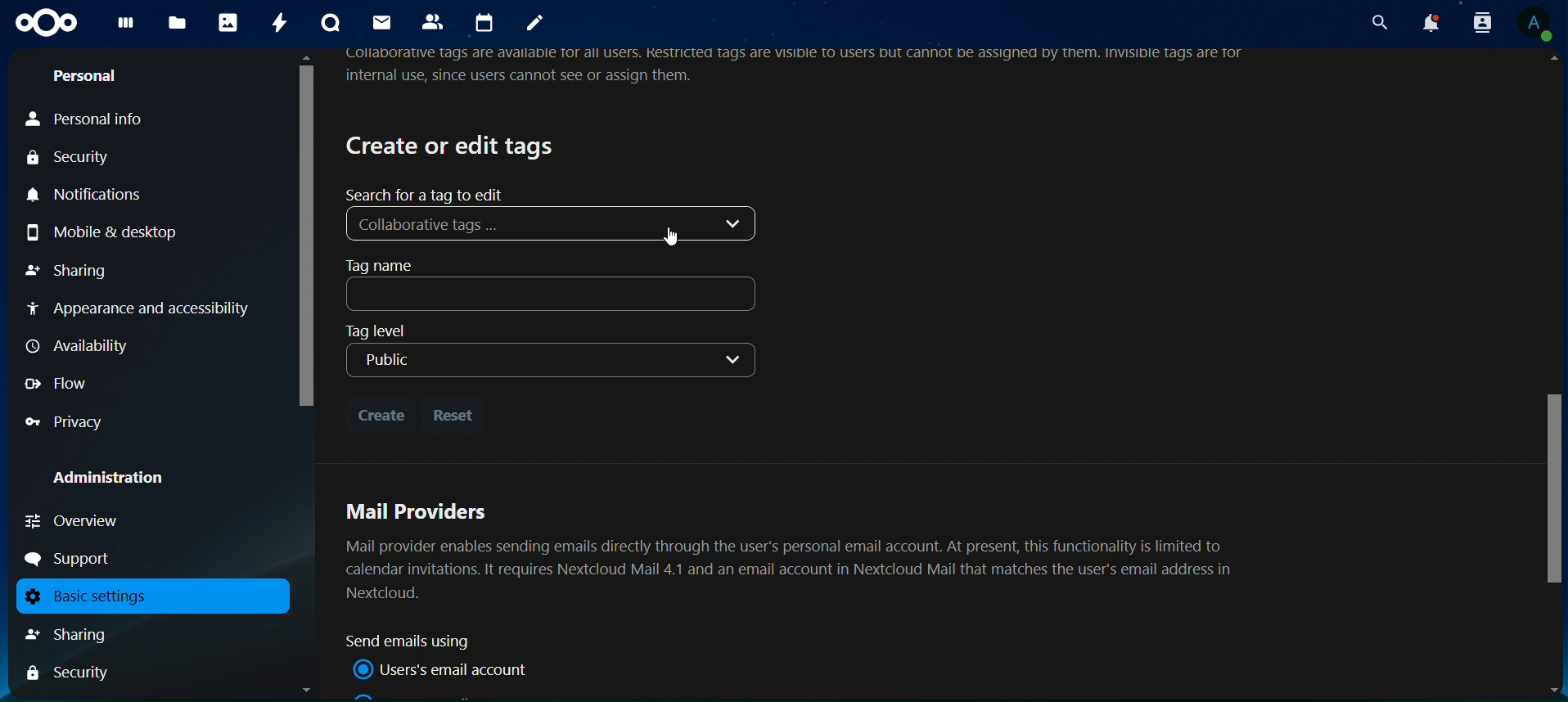 The height and width of the screenshot is (702, 1568). What do you see at coordinates (436, 23) in the screenshot?
I see `contacts` at bounding box center [436, 23].